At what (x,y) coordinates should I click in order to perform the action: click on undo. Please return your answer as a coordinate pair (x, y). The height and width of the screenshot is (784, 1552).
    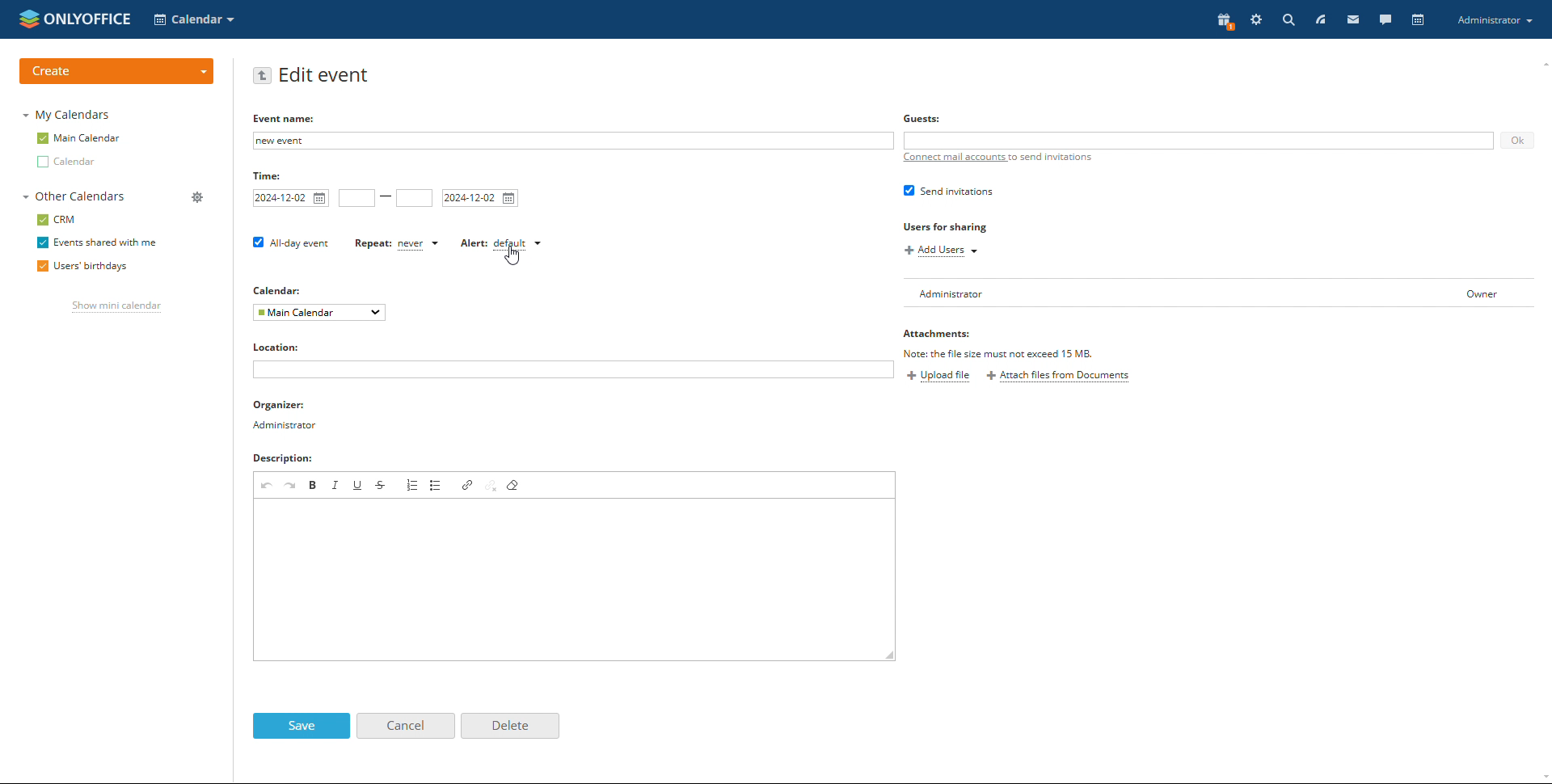
    Looking at the image, I should click on (266, 485).